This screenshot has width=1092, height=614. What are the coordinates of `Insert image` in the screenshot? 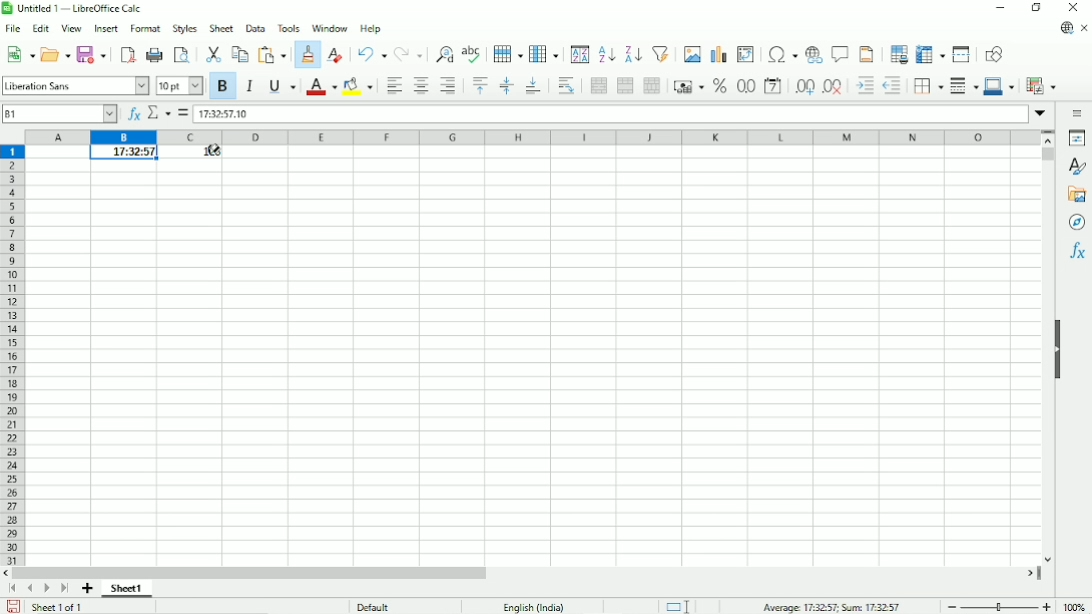 It's located at (693, 54).